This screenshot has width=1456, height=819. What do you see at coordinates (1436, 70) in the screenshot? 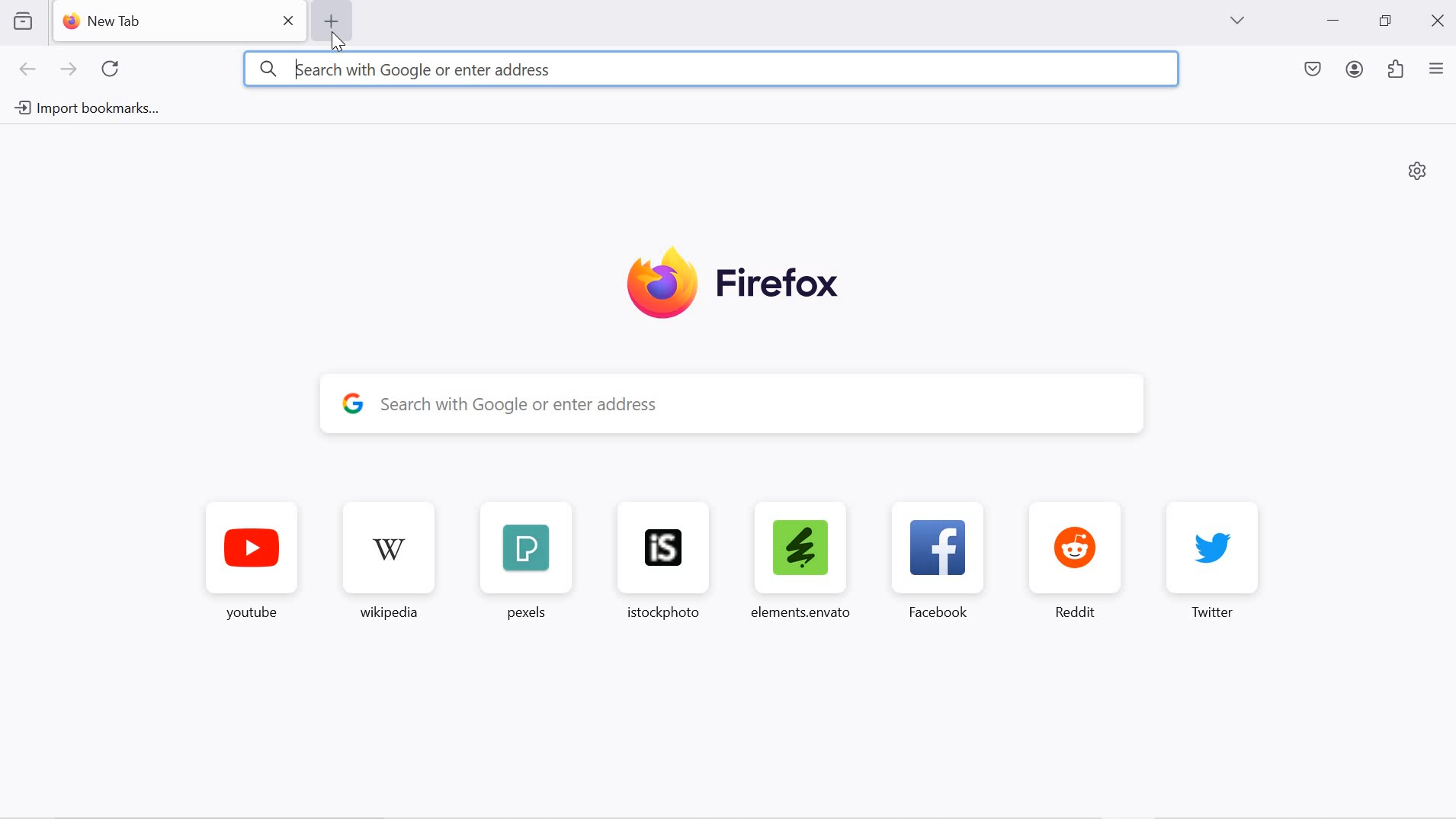
I see `application menu` at bounding box center [1436, 70].